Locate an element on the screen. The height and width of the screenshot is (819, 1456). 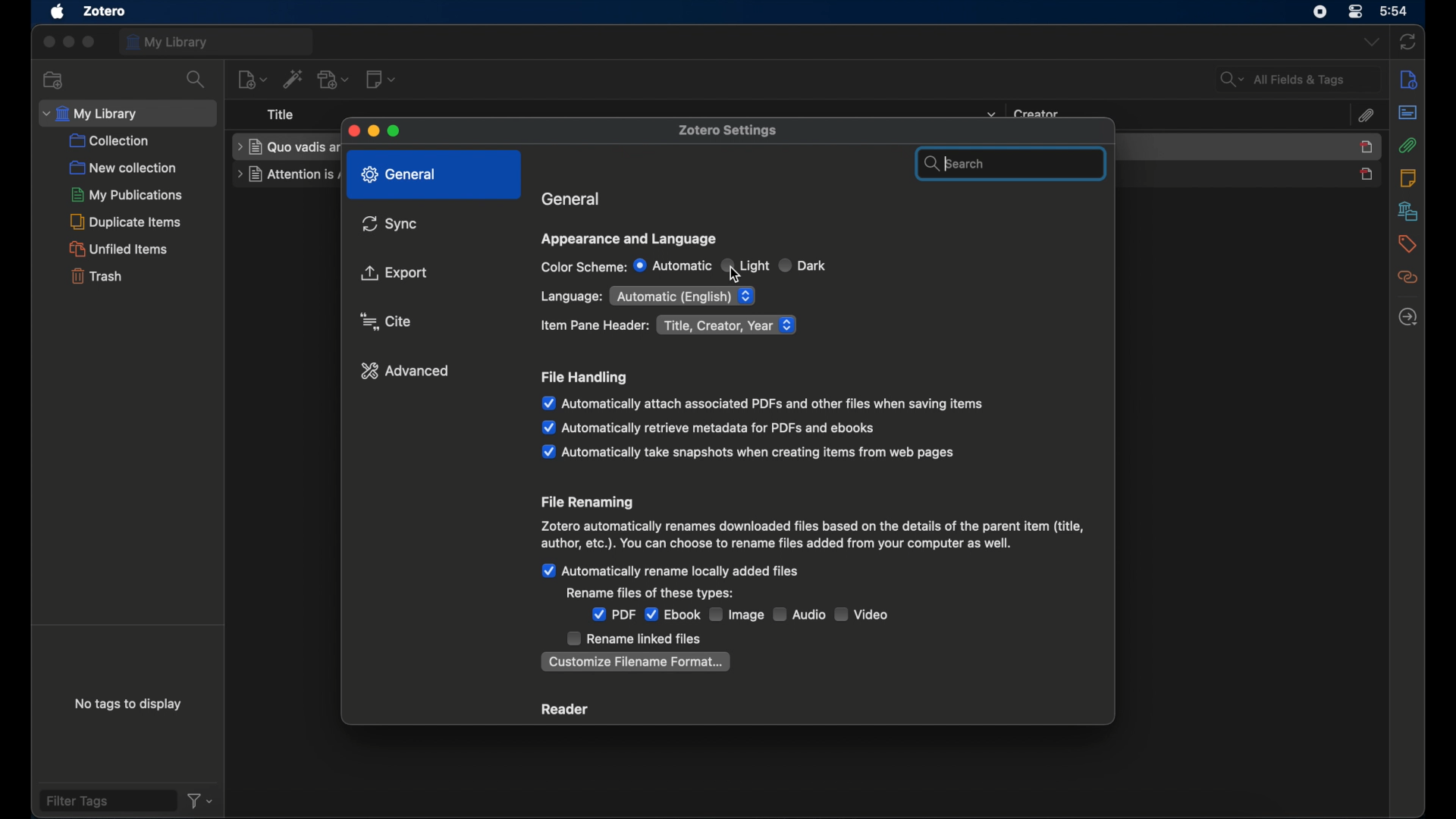
color scheme: is located at coordinates (582, 267).